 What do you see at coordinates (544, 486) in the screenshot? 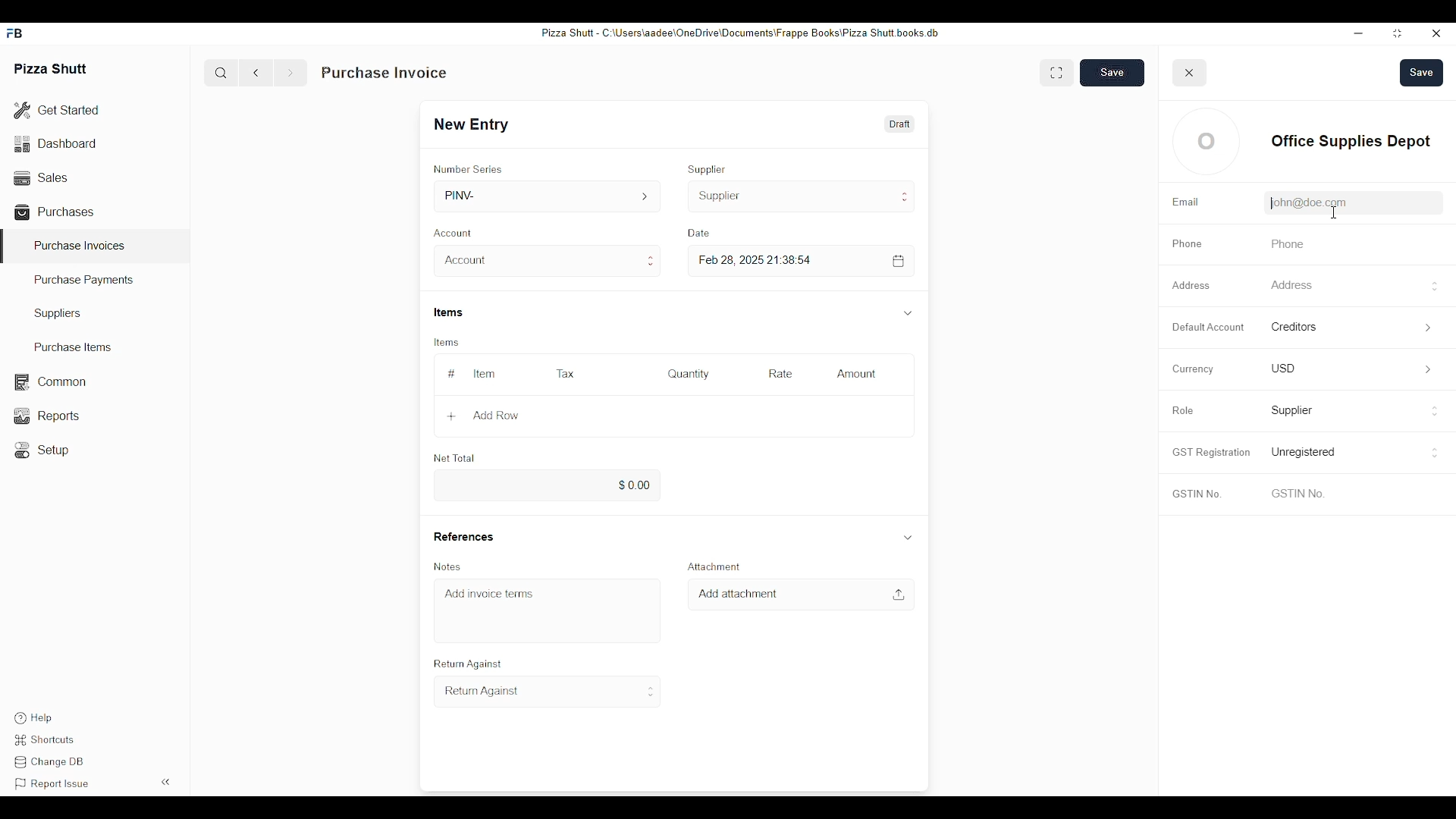
I see `0.00` at bounding box center [544, 486].